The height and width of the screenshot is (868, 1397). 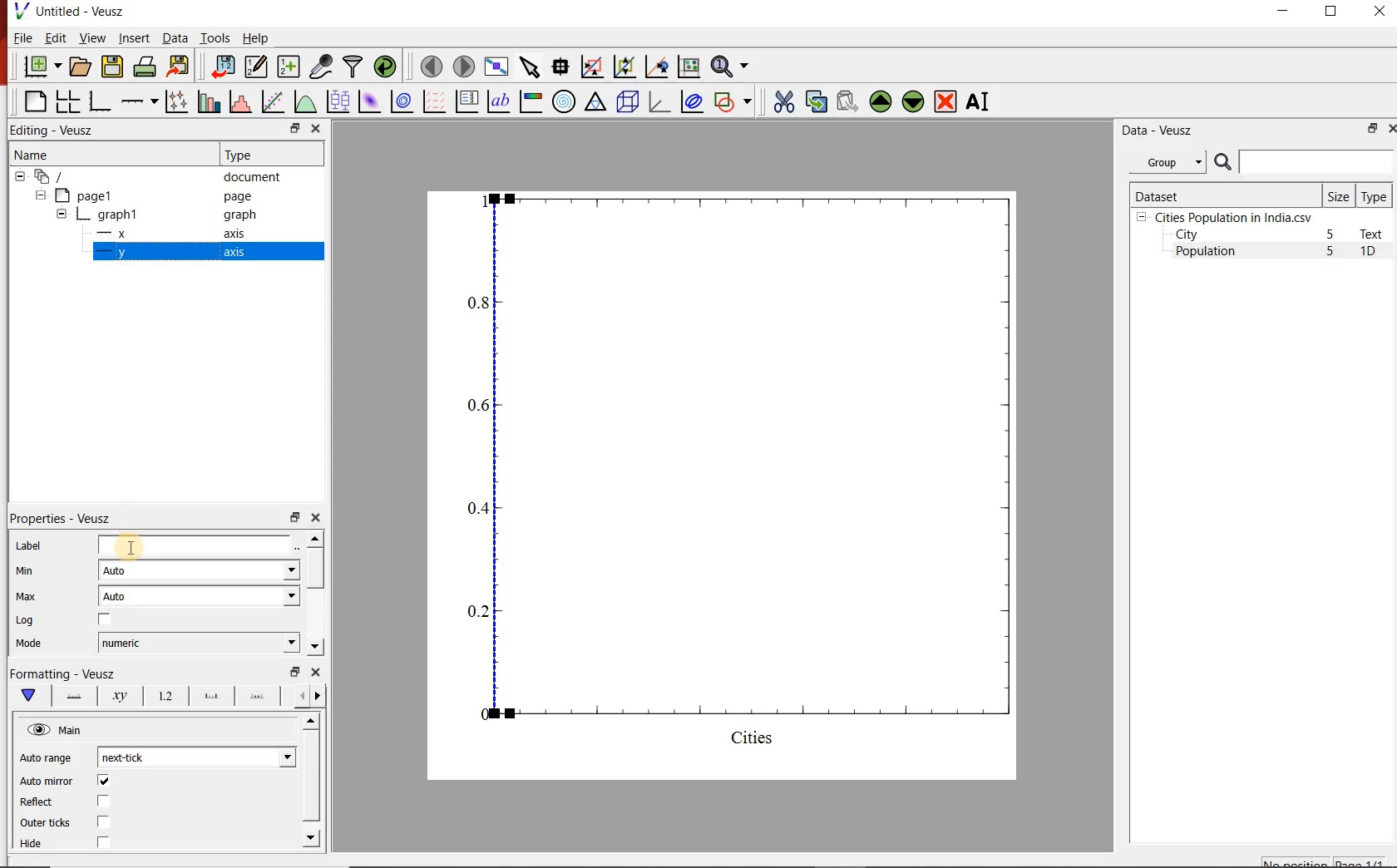 I want to click on select items from the graph or scroll, so click(x=529, y=66).